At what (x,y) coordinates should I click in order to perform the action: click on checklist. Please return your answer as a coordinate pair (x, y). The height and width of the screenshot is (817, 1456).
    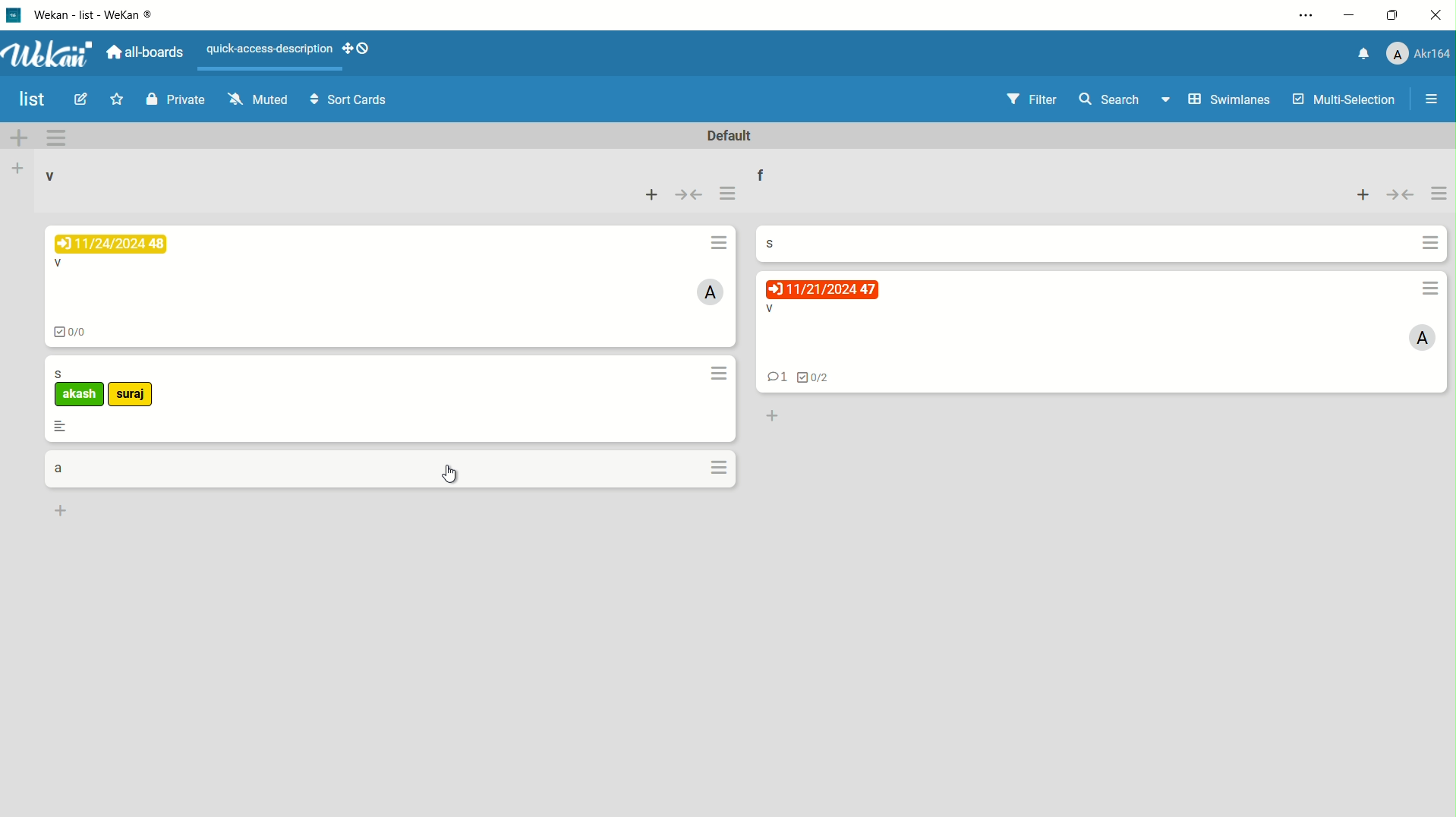
    Looking at the image, I should click on (76, 334).